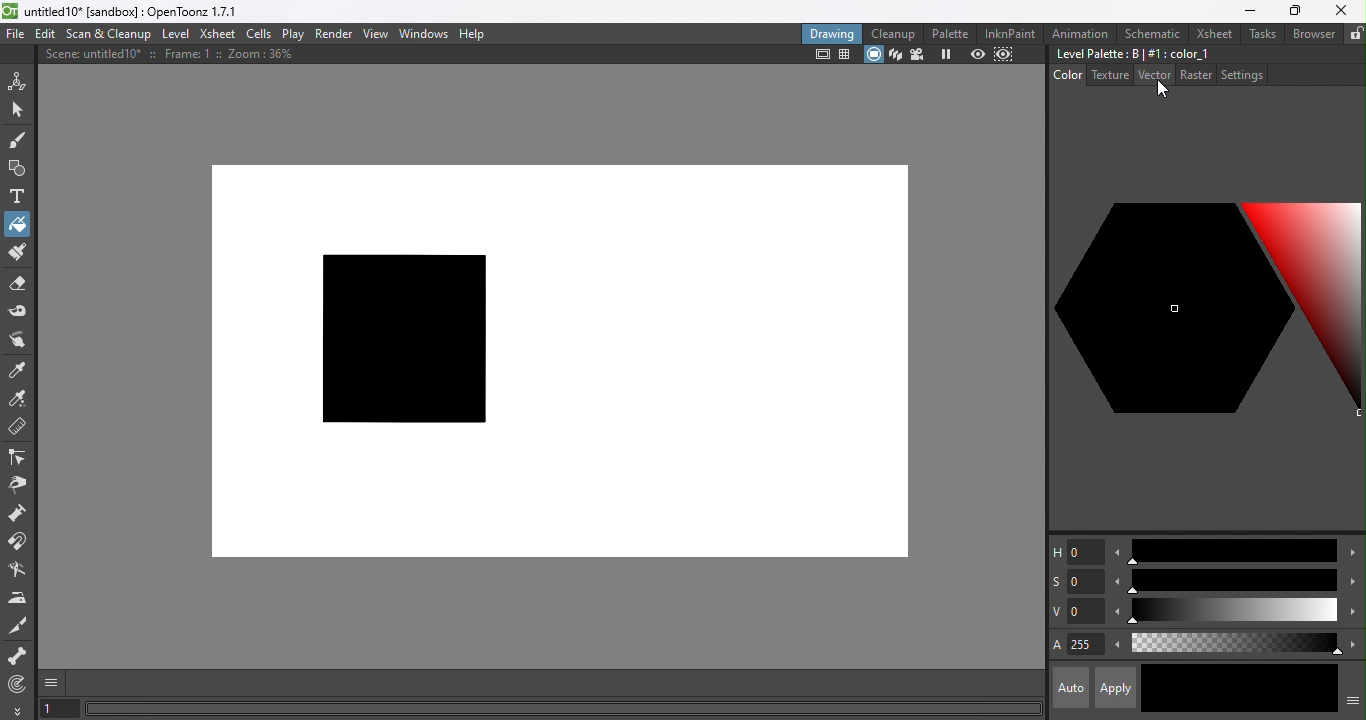 The width and height of the screenshot is (1366, 720). I want to click on Cleanup, so click(893, 33).